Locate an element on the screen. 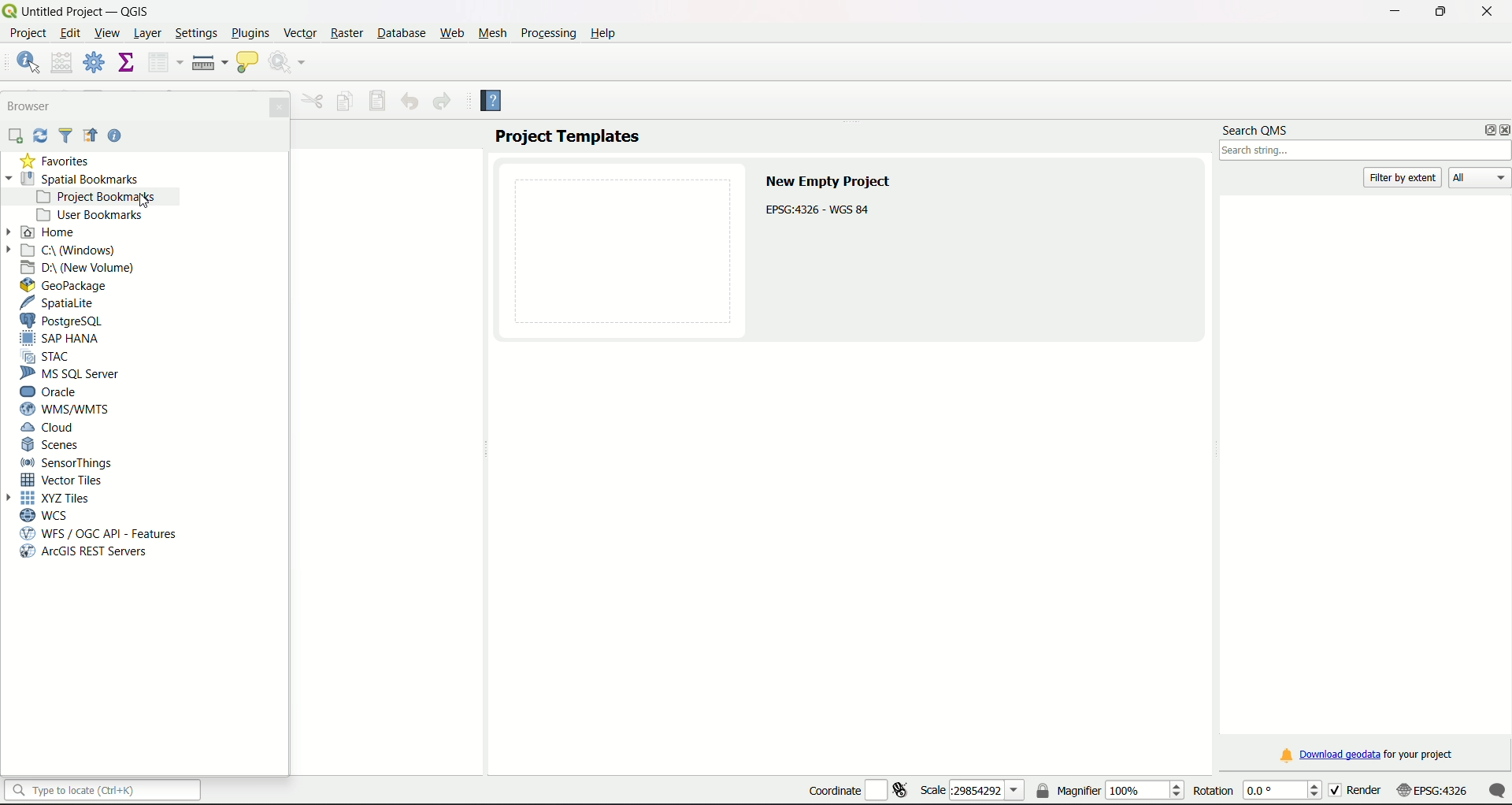 This screenshot has width=1512, height=805. Spatial Bookmarks is located at coordinates (72, 179).